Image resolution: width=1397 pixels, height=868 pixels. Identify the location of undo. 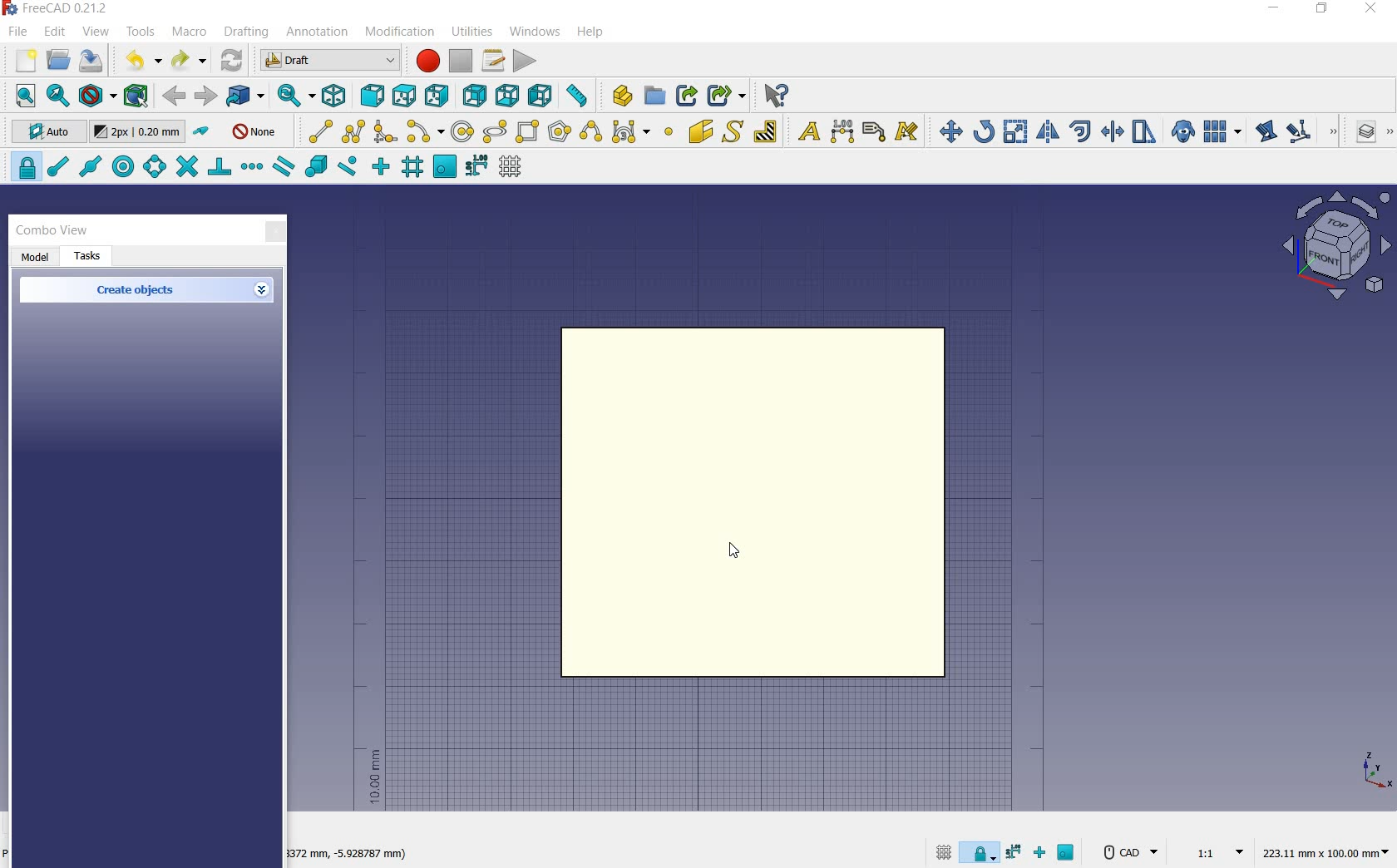
(142, 60).